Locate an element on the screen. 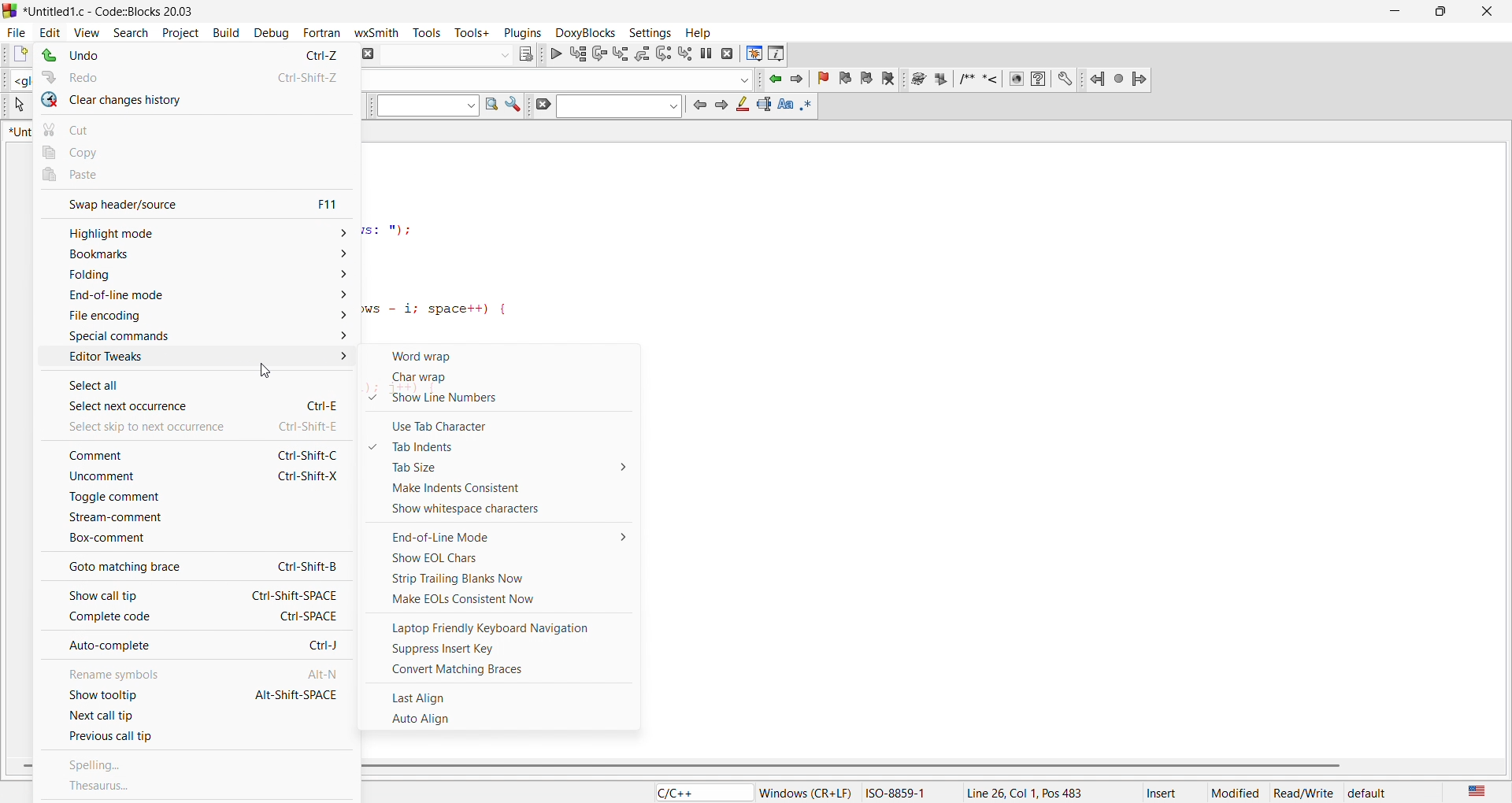 This screenshot has width=1512, height=803. build is located at coordinates (222, 31).